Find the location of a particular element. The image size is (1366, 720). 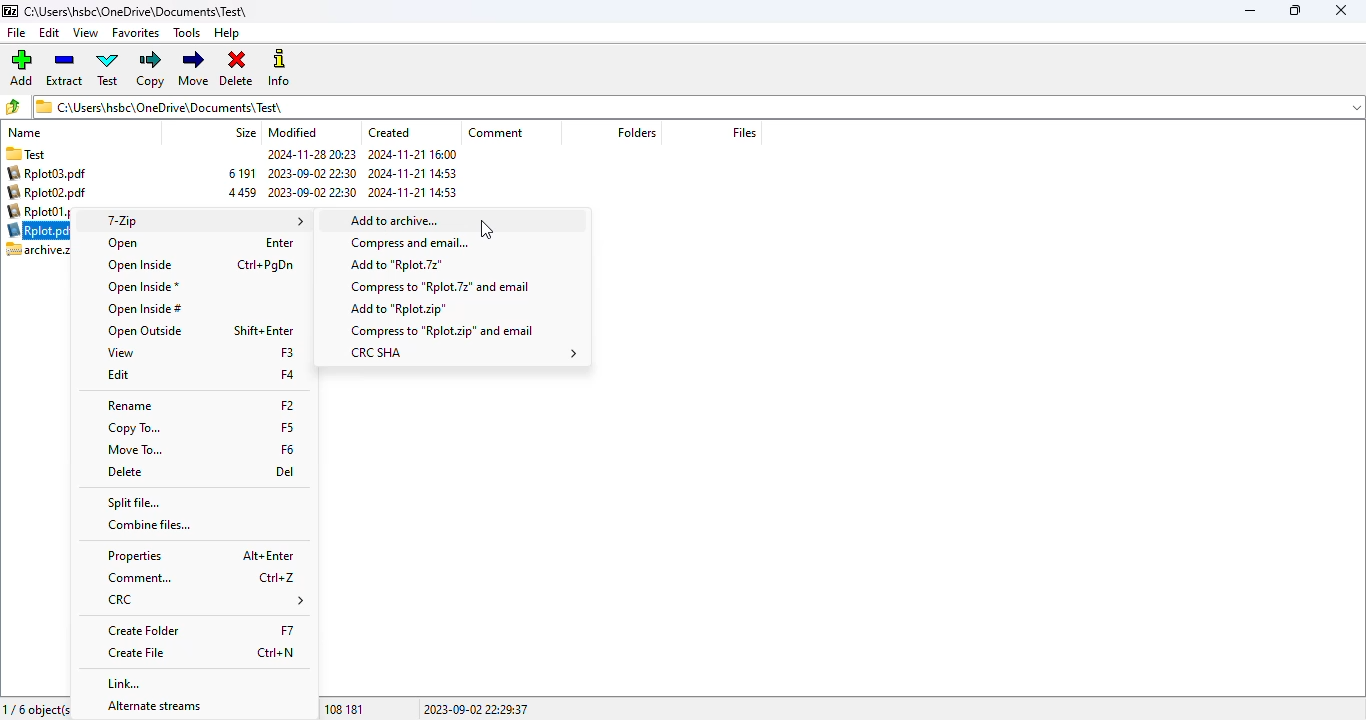

shortcut for delete is located at coordinates (285, 472).